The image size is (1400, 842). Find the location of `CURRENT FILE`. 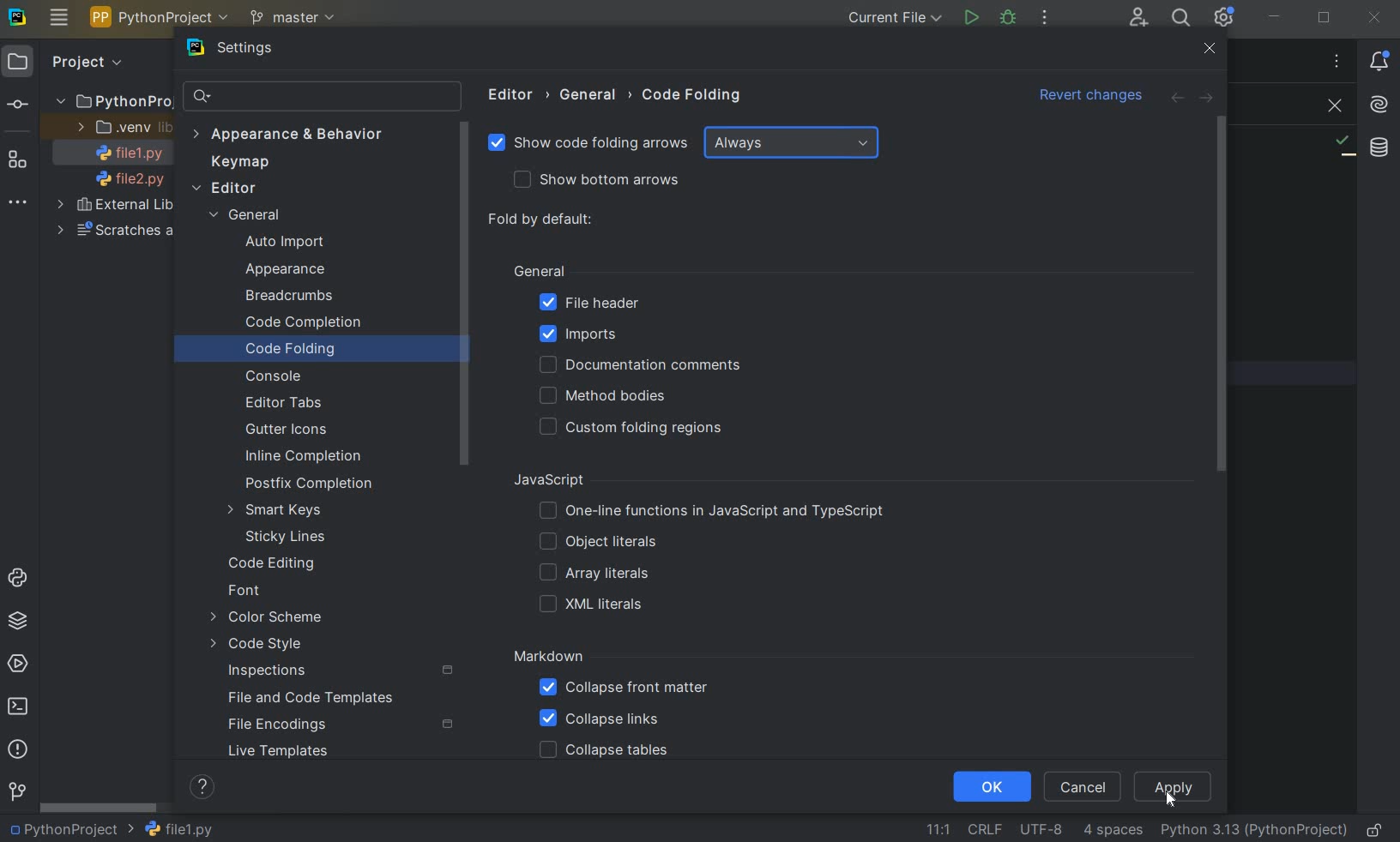

CURRENT FILE is located at coordinates (892, 18).